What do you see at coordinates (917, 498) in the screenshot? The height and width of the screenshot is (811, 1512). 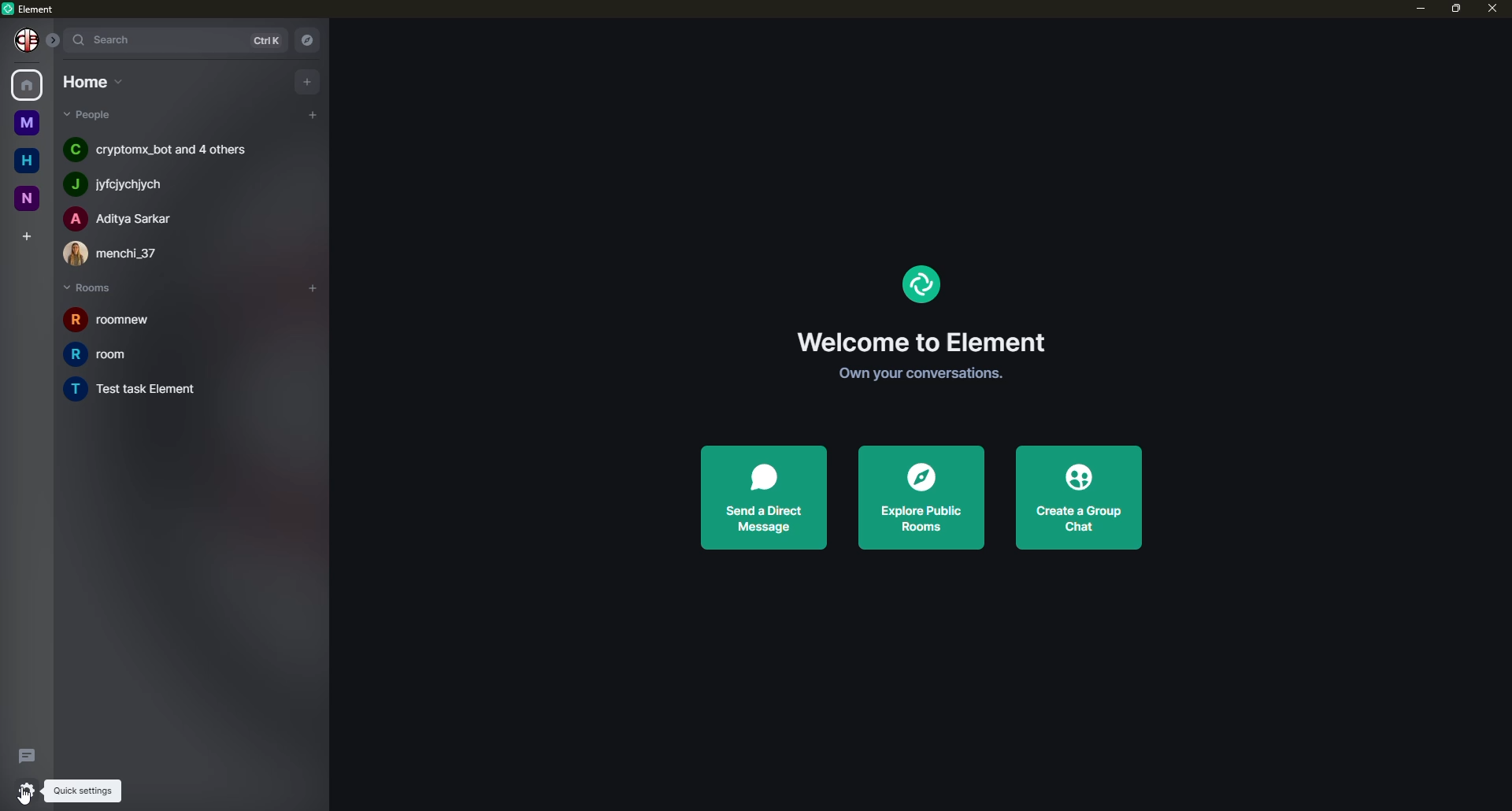 I see `explore public rooms` at bounding box center [917, 498].